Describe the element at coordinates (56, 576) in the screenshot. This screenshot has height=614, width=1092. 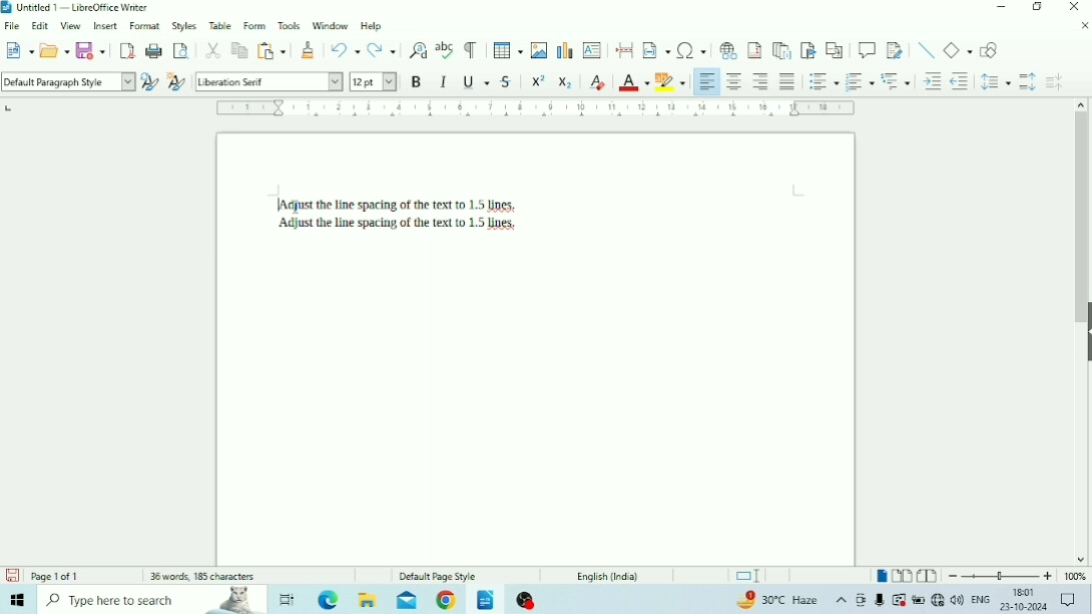
I see `Page number` at that location.